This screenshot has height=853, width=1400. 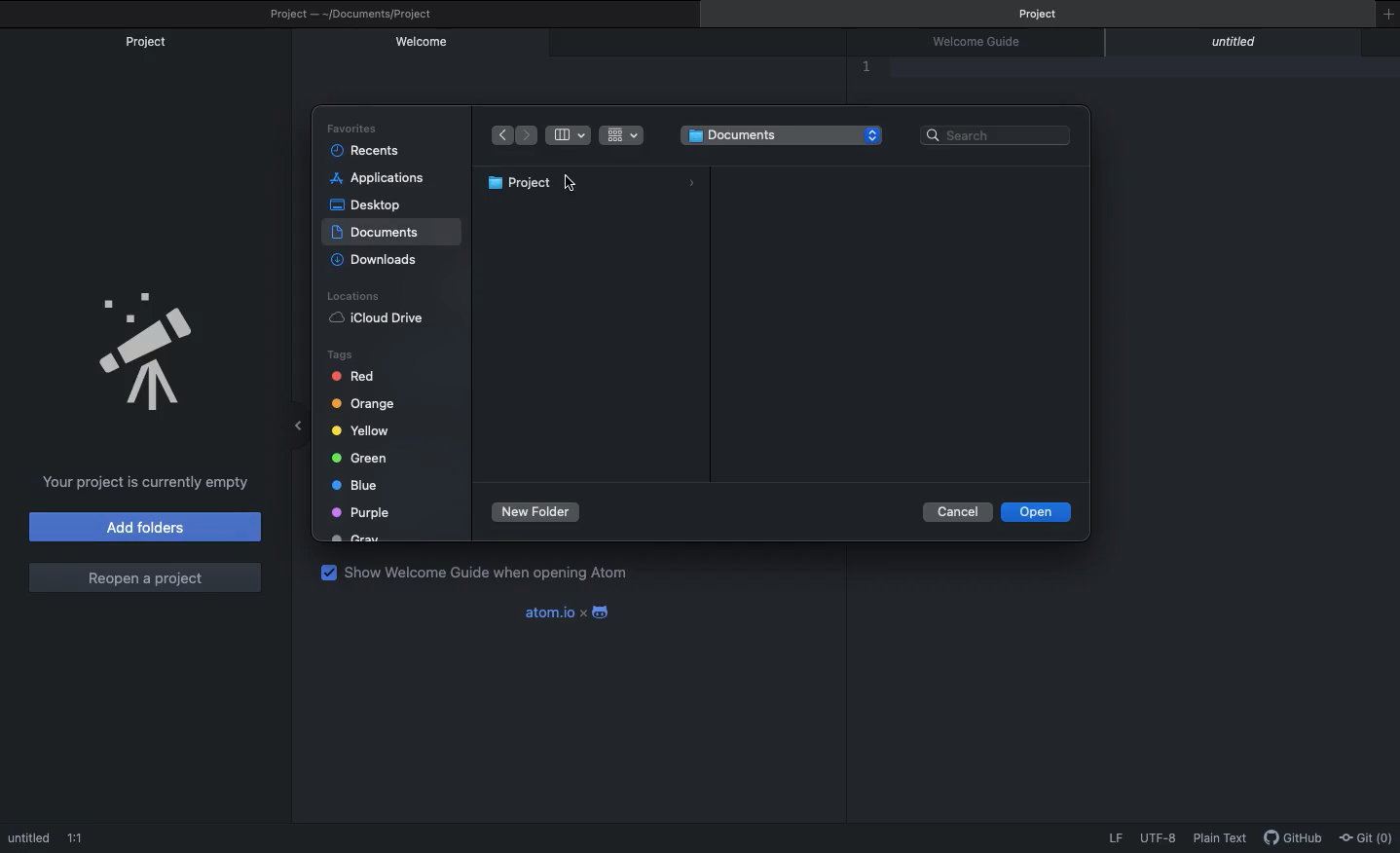 I want to click on Favorites, so click(x=355, y=129).